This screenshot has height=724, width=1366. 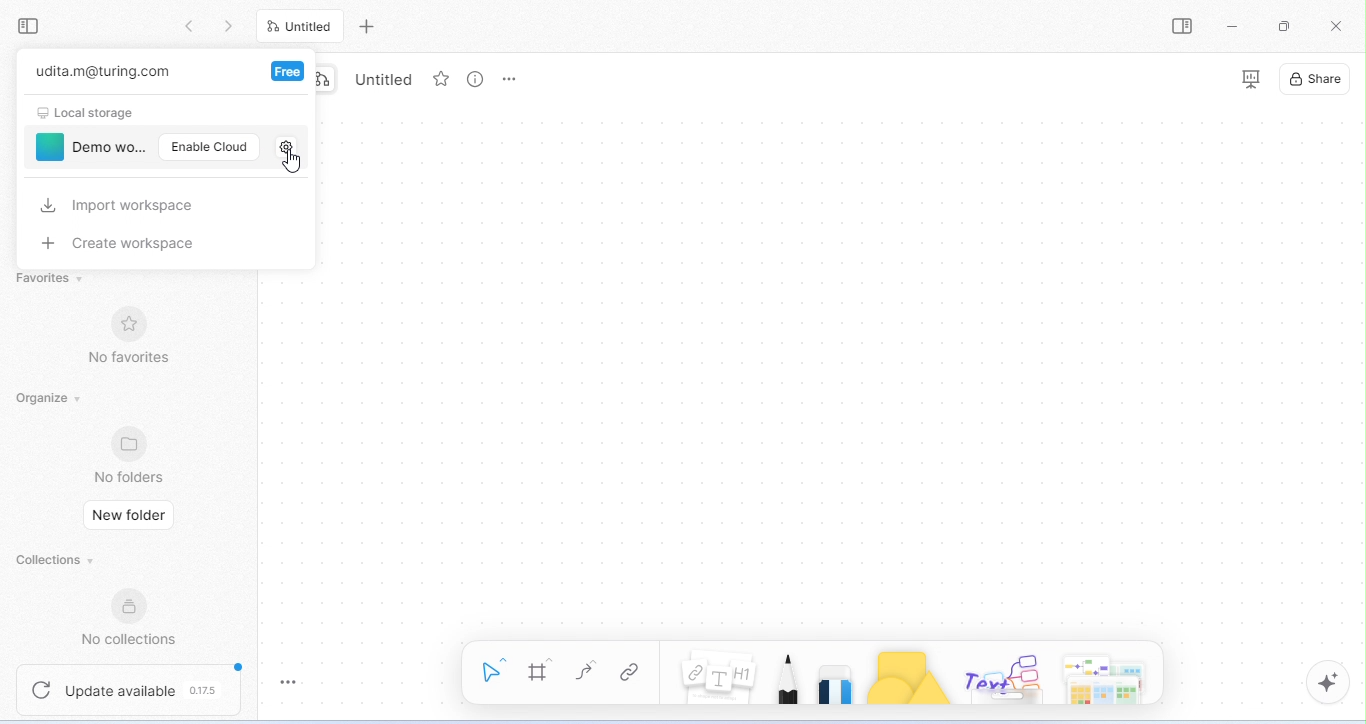 What do you see at coordinates (631, 670) in the screenshot?
I see `link` at bounding box center [631, 670].